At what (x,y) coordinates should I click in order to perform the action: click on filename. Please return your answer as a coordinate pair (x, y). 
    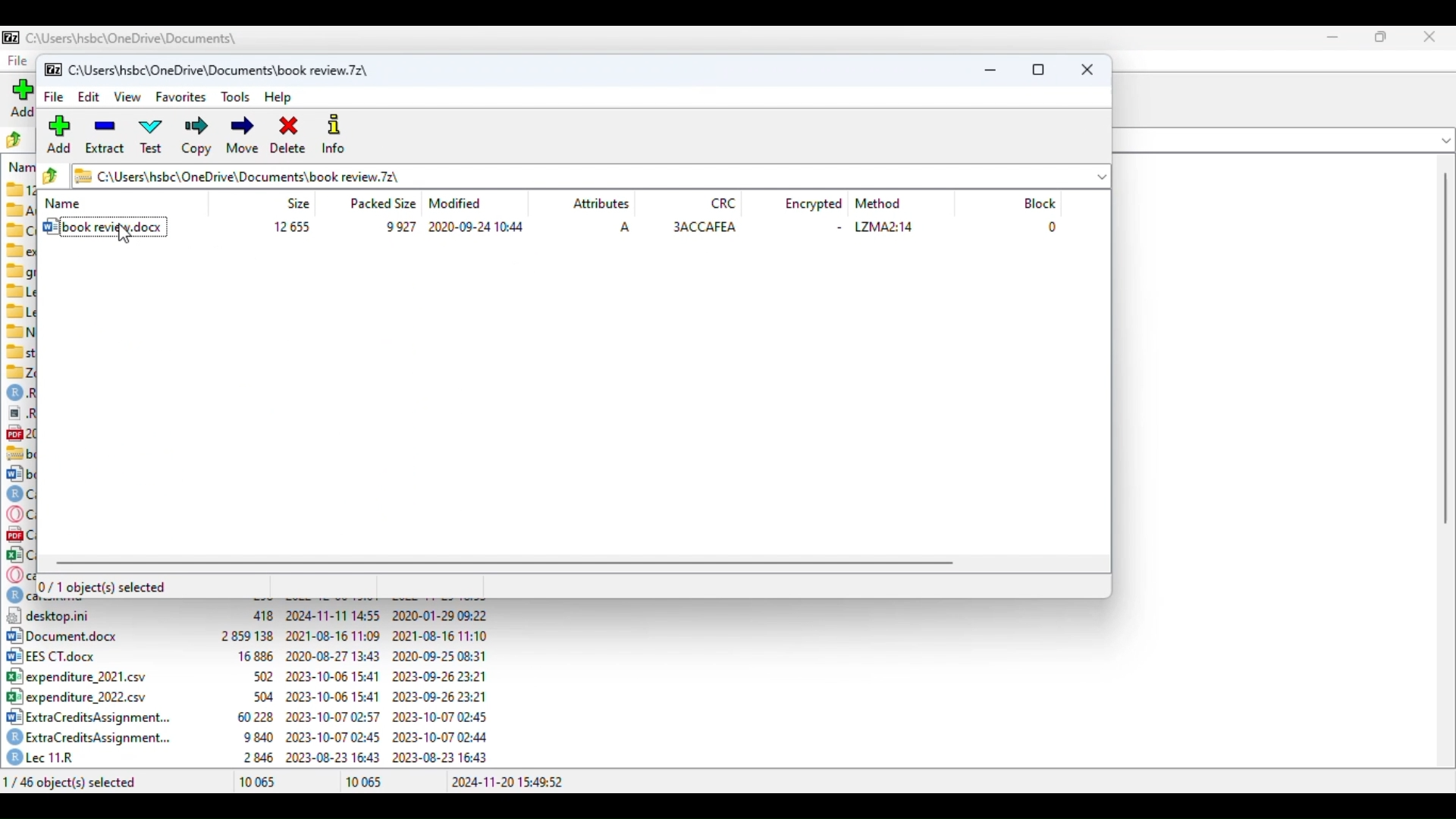
    Looking at the image, I should click on (133, 36).